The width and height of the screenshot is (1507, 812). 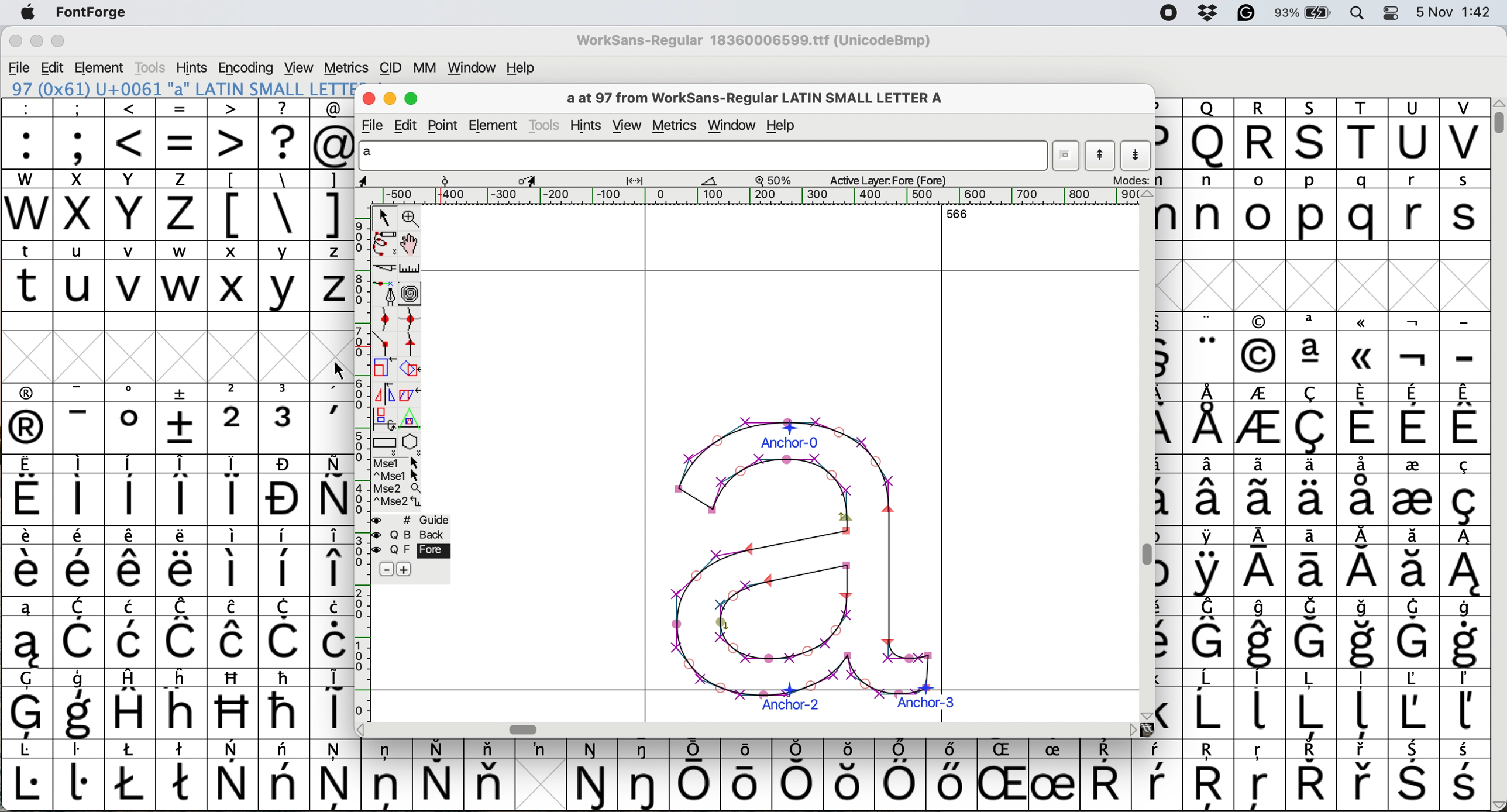 What do you see at coordinates (28, 491) in the screenshot?
I see `symbol` at bounding box center [28, 491].